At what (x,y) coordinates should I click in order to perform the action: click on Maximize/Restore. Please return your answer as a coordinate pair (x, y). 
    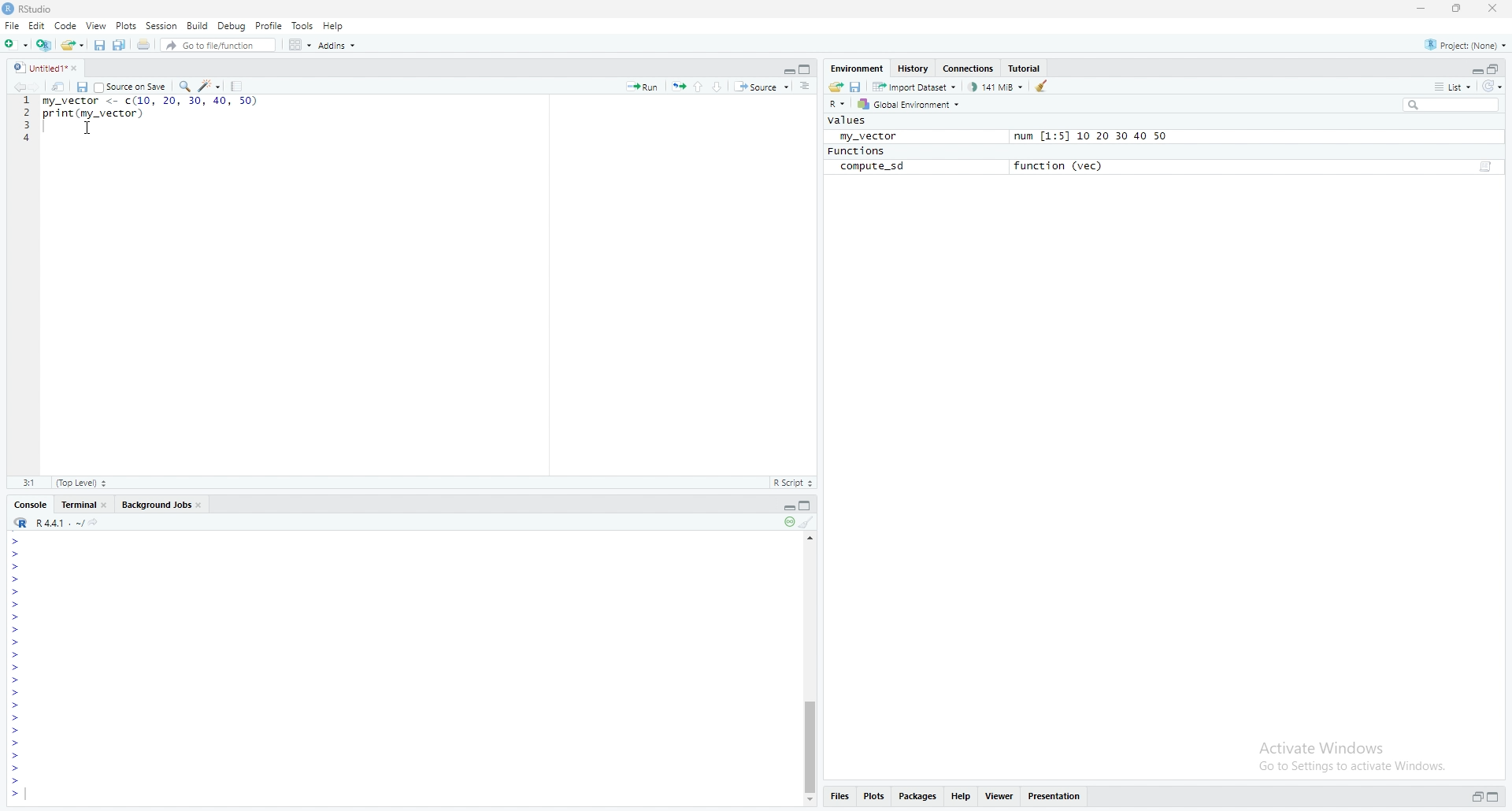
    Looking at the image, I should click on (1455, 9).